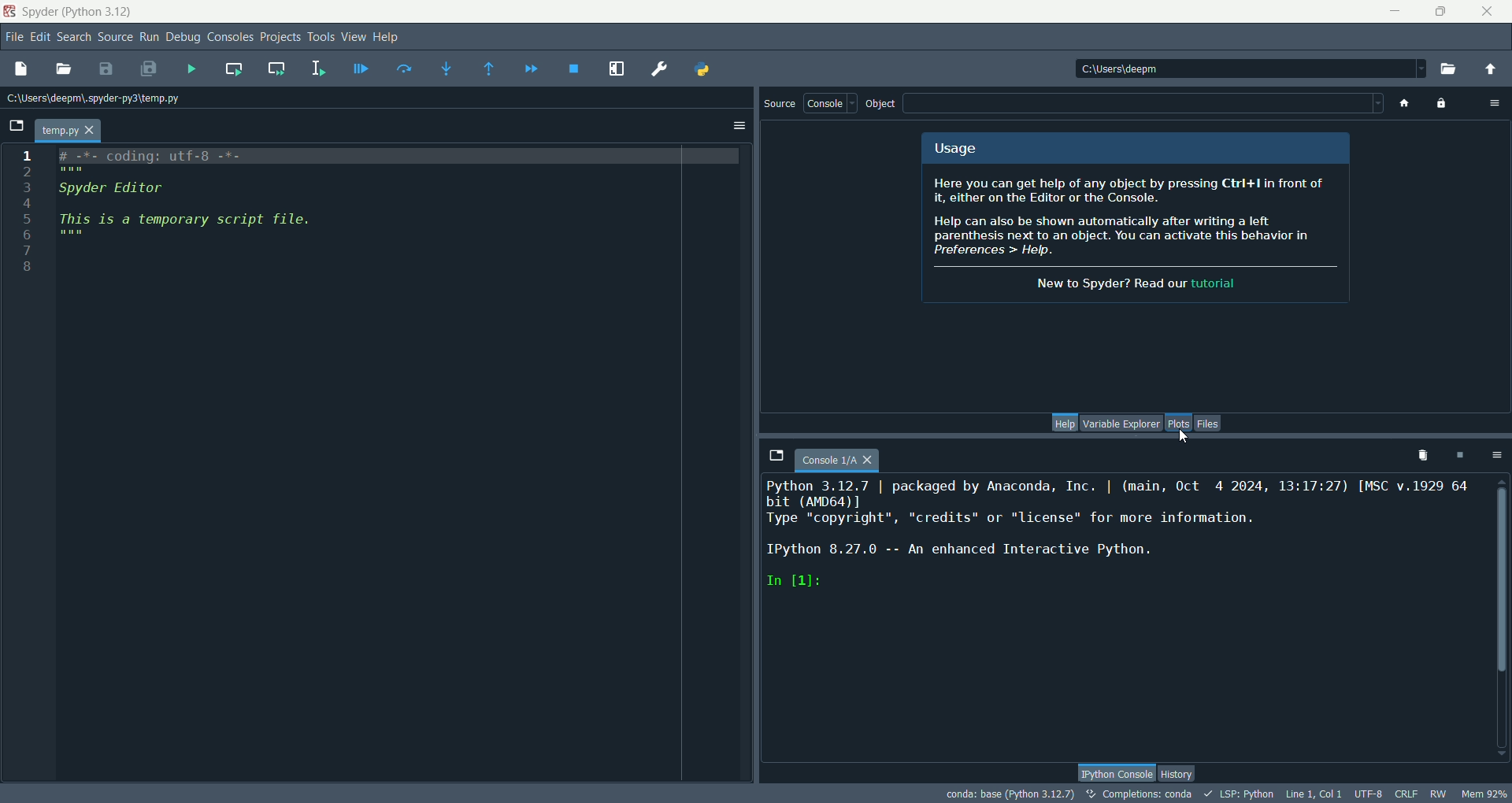  I want to click on file, so click(13, 37).